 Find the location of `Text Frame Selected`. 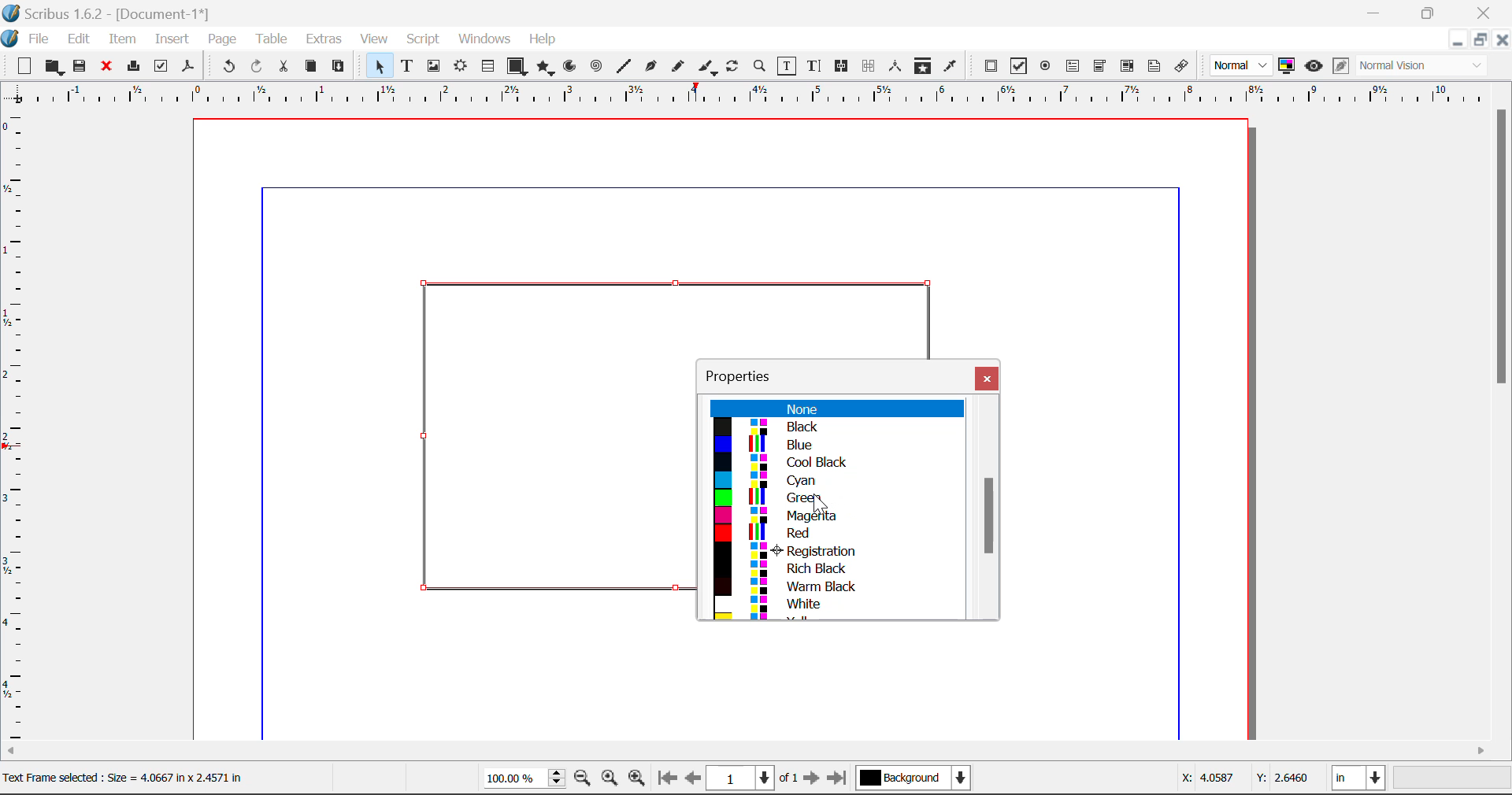

Text Frame Selected is located at coordinates (406, 65).